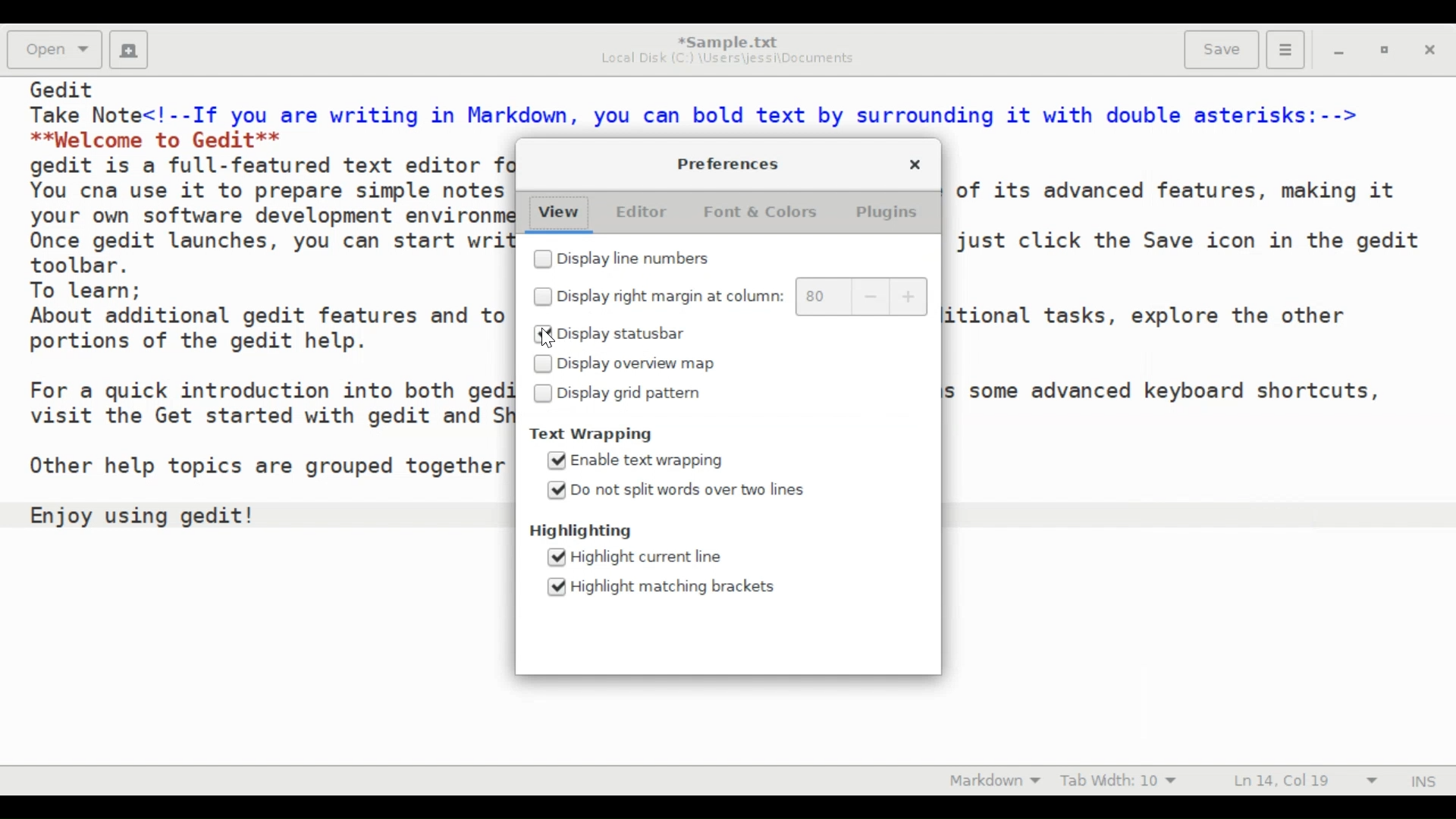 This screenshot has width=1456, height=819. Describe the element at coordinates (635, 557) in the screenshot. I see `(un)select Highlight current line` at that location.